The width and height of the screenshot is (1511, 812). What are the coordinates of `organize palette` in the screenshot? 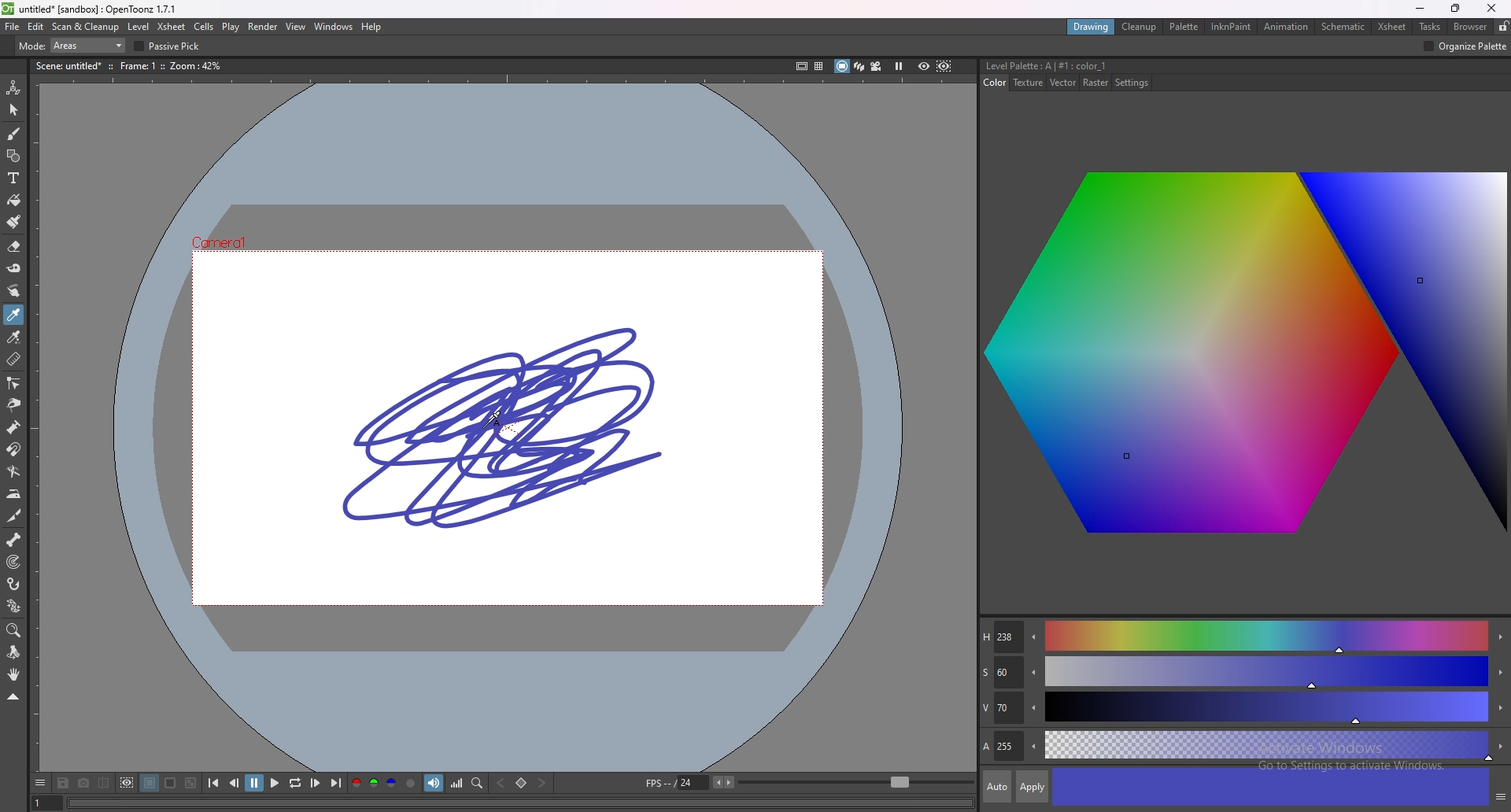 It's located at (1465, 47).